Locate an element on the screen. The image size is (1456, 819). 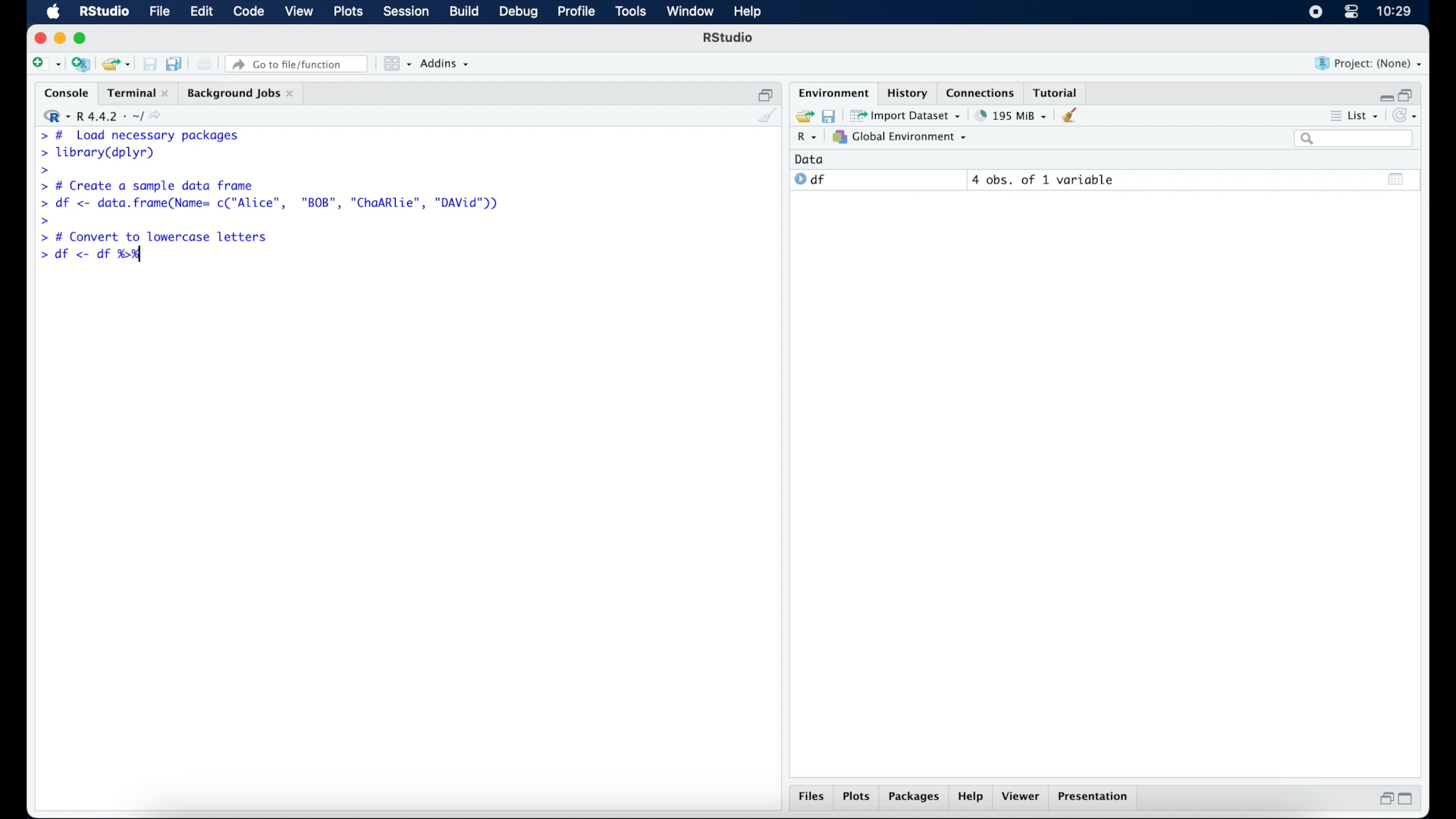
list is located at coordinates (1353, 118).